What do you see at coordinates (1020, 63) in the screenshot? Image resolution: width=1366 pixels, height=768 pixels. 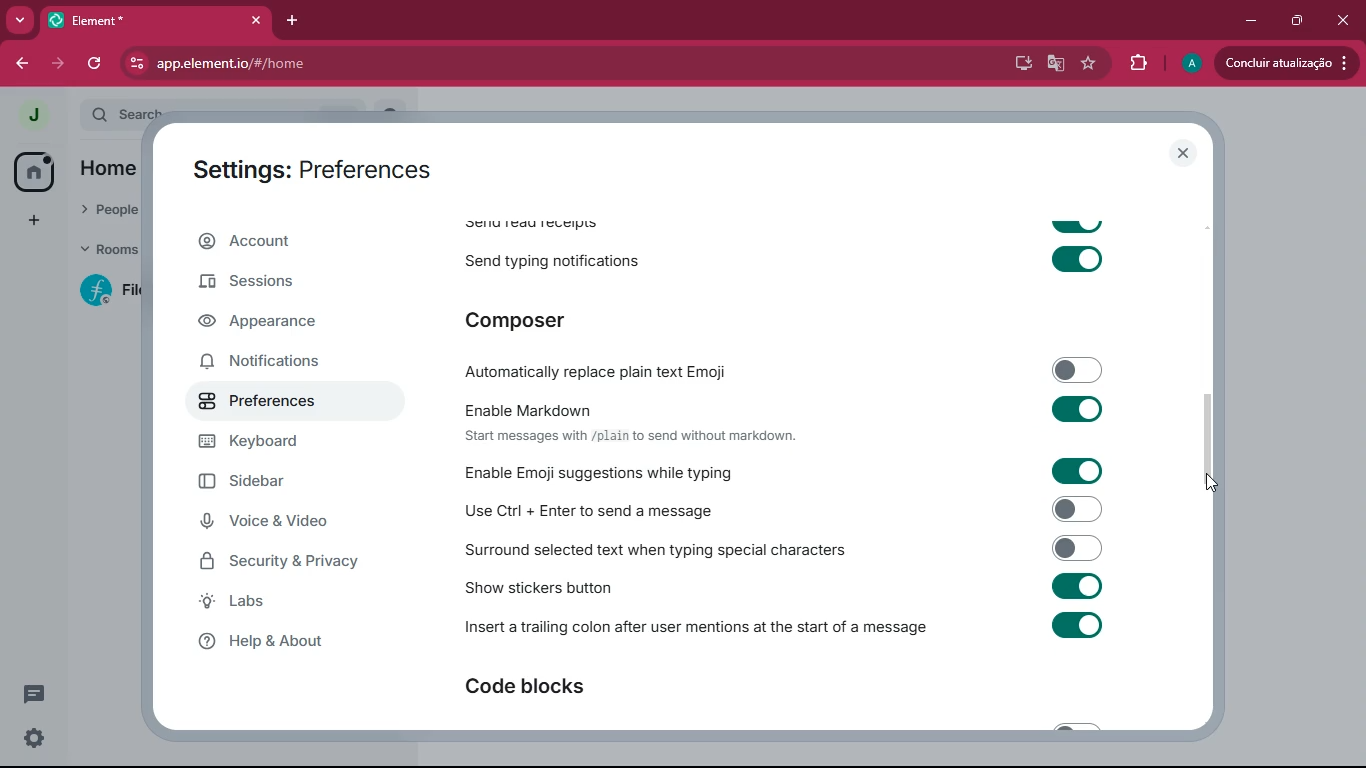 I see `desktop` at bounding box center [1020, 63].